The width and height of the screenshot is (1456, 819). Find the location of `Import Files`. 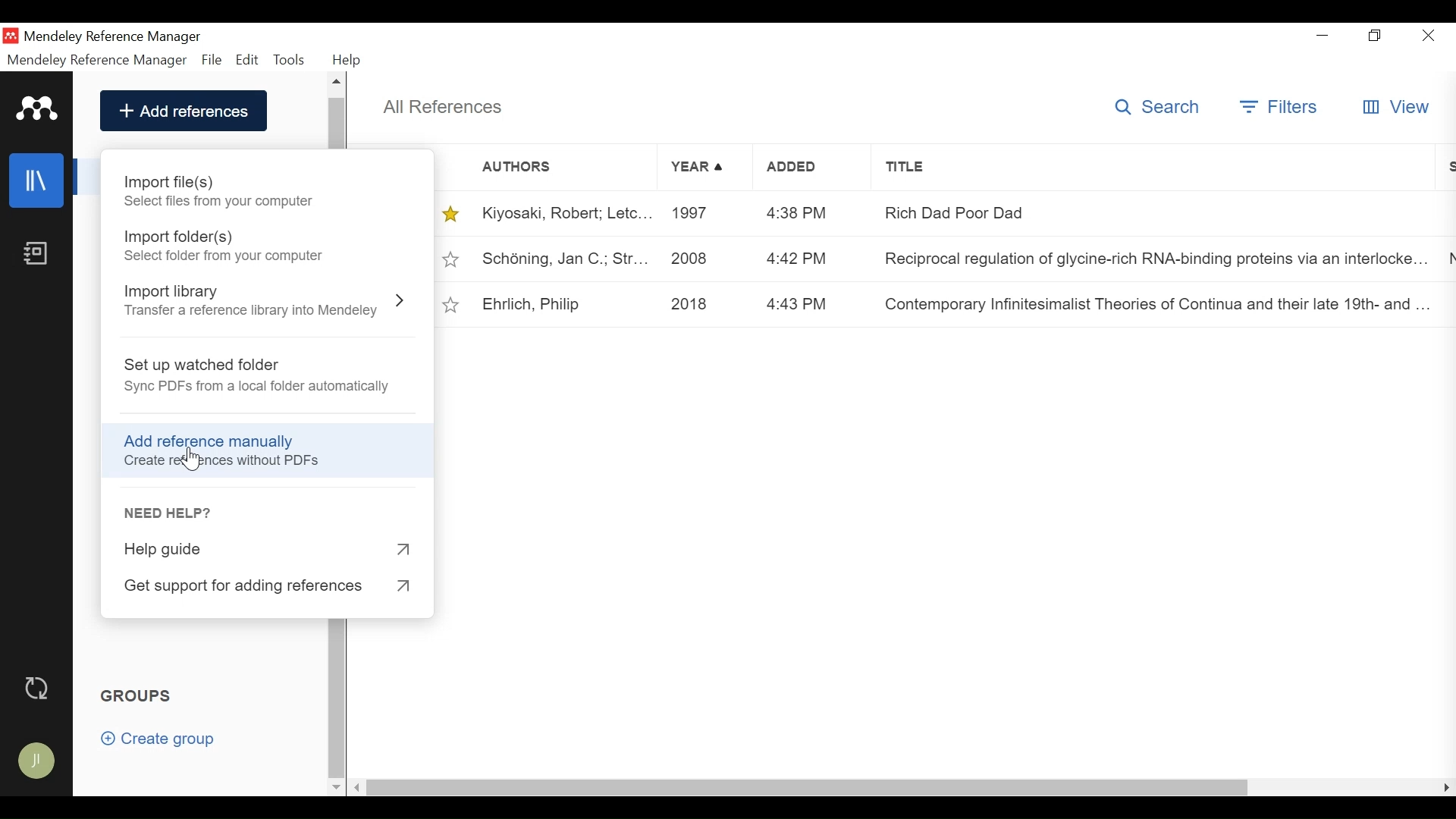

Import Files is located at coordinates (180, 182).